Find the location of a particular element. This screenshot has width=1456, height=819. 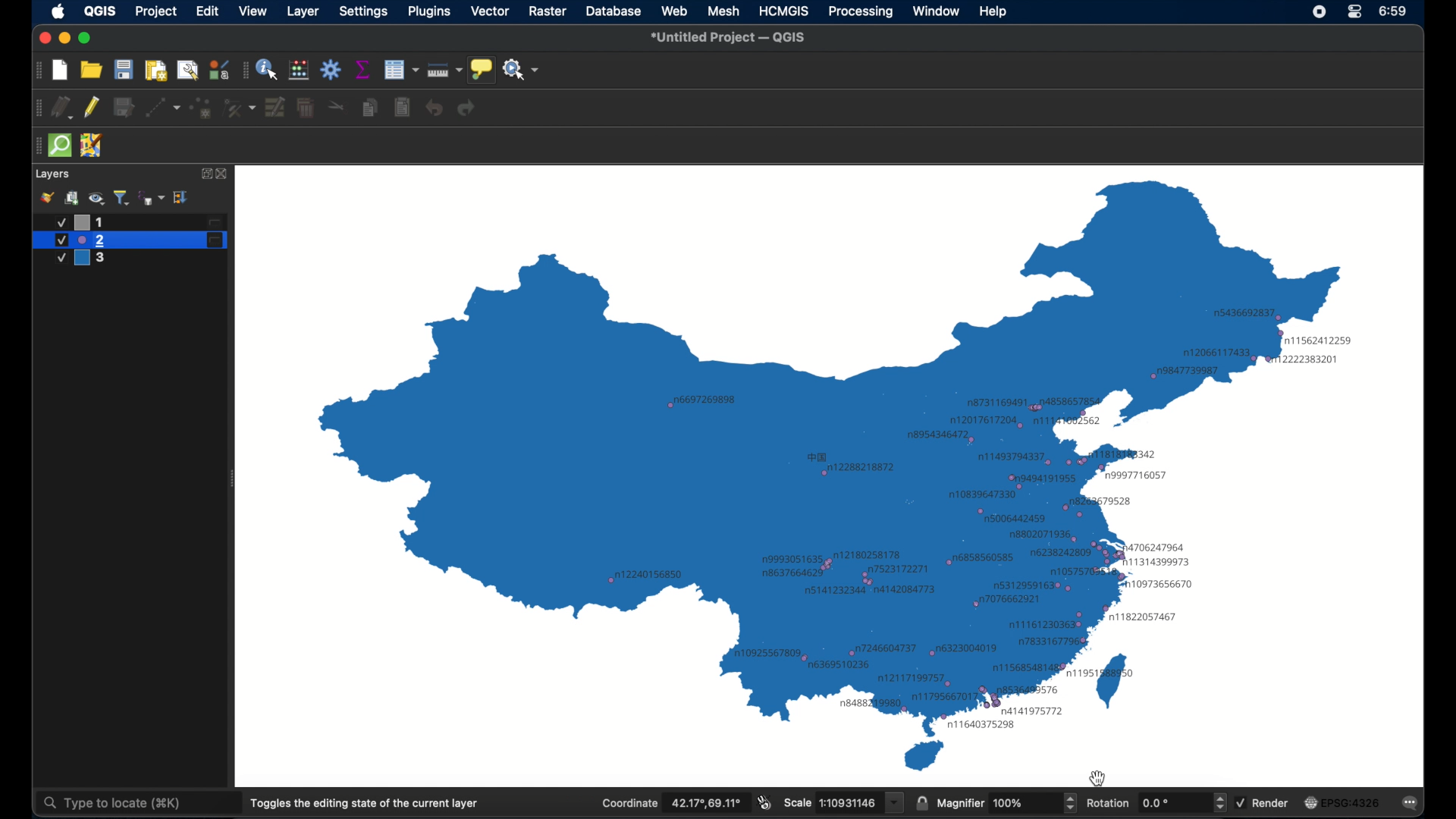

help is located at coordinates (994, 11).